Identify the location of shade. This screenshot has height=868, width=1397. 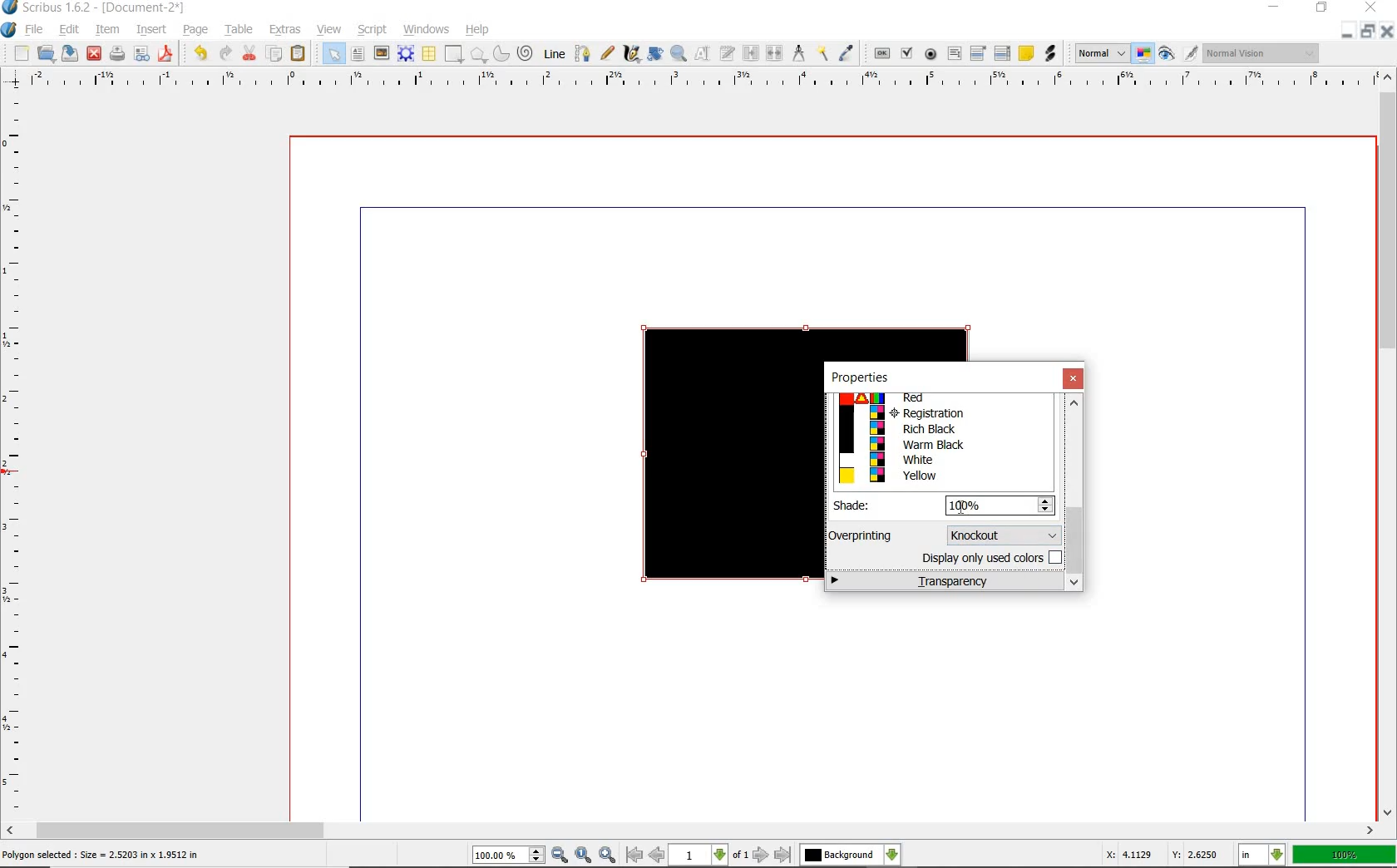
(1001, 504).